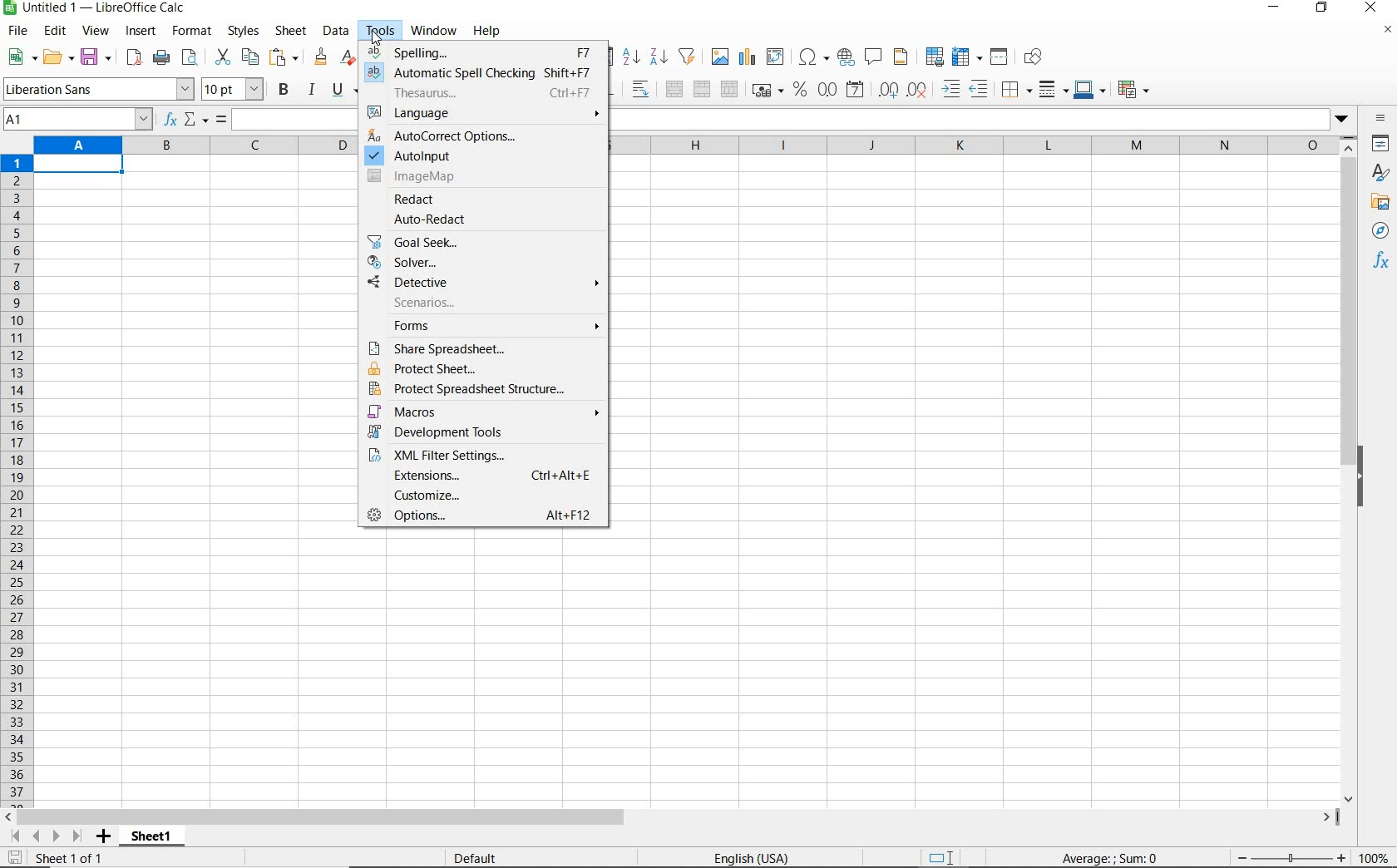 This screenshot has height=868, width=1397. What do you see at coordinates (1380, 144) in the screenshot?
I see `PROPERTIES` at bounding box center [1380, 144].